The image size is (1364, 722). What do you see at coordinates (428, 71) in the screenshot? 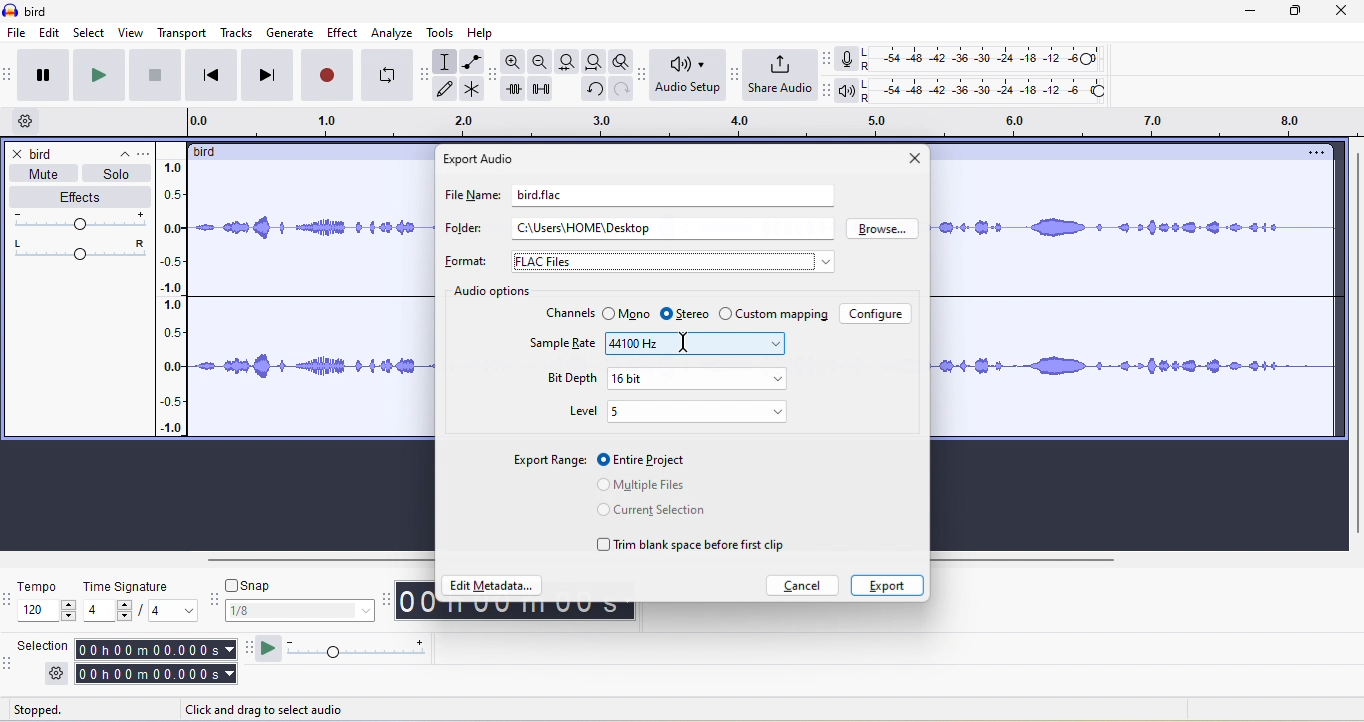
I see `audacity tools toolbar` at bounding box center [428, 71].